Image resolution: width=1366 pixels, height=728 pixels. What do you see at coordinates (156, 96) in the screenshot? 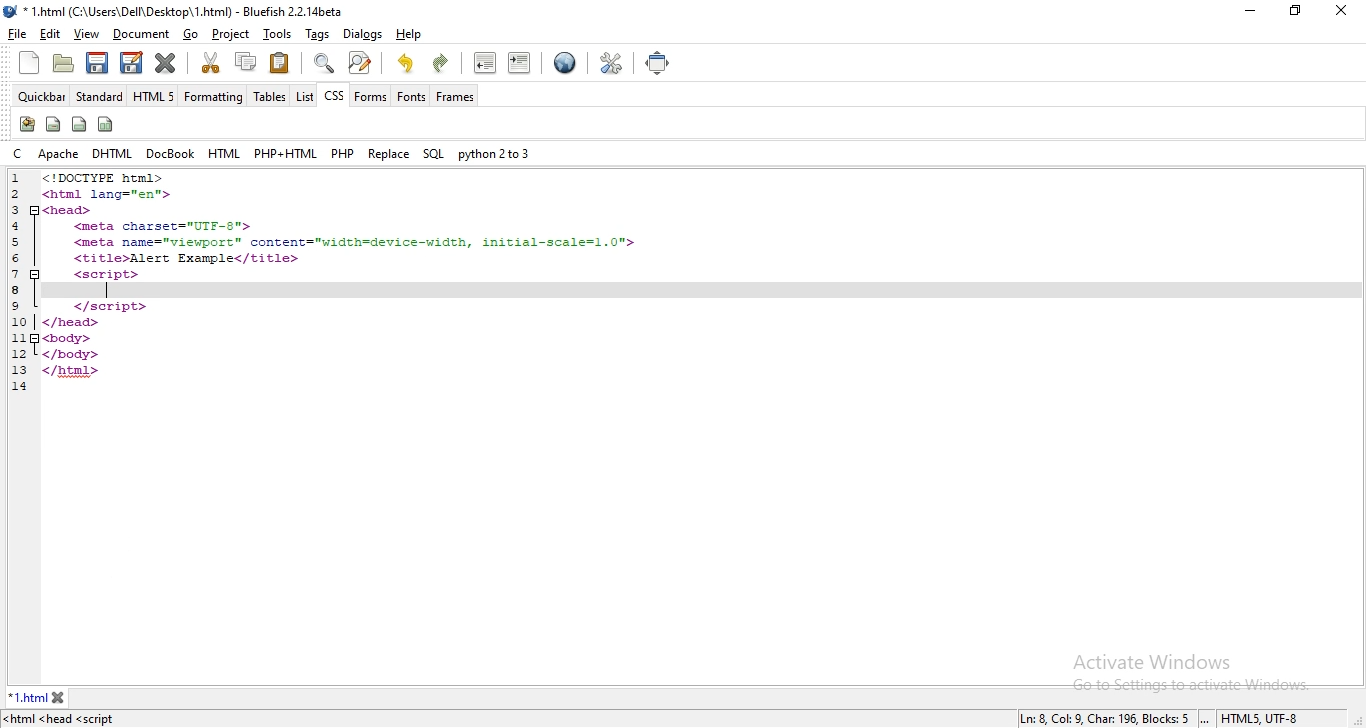
I see `html 5` at bounding box center [156, 96].